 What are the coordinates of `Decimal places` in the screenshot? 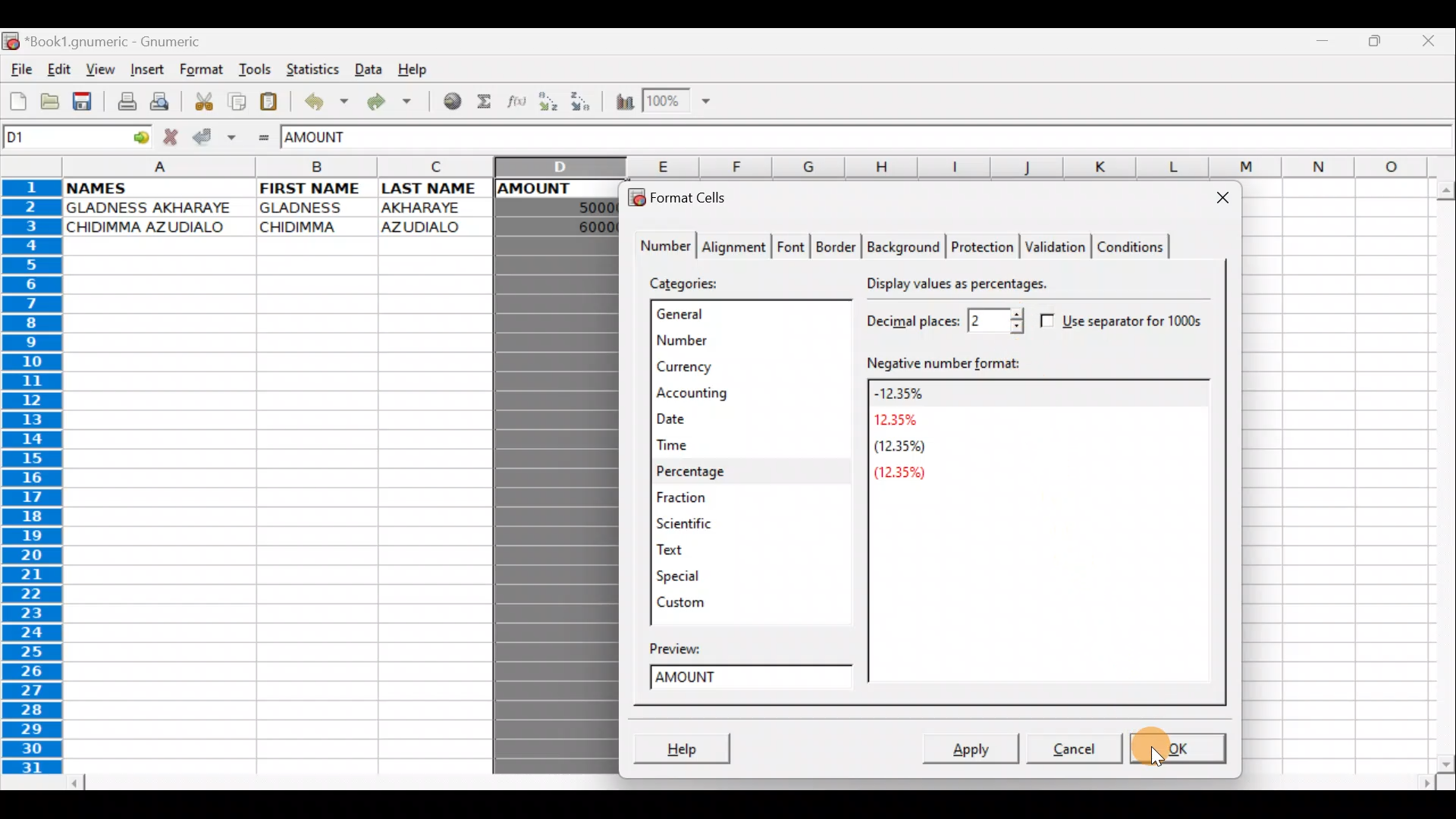 It's located at (942, 319).